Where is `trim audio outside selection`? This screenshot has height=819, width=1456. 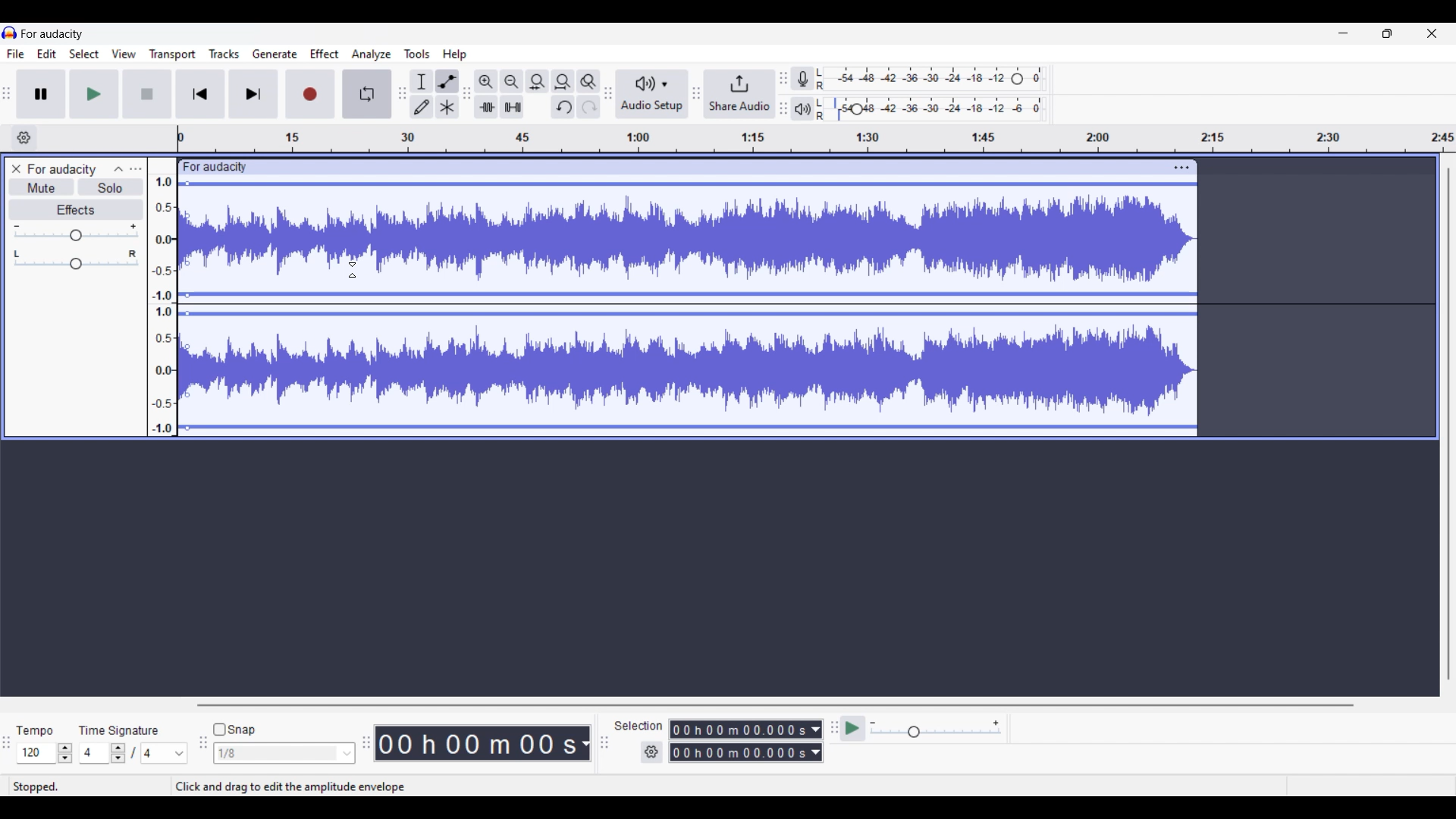
trim audio outside selection is located at coordinates (486, 107).